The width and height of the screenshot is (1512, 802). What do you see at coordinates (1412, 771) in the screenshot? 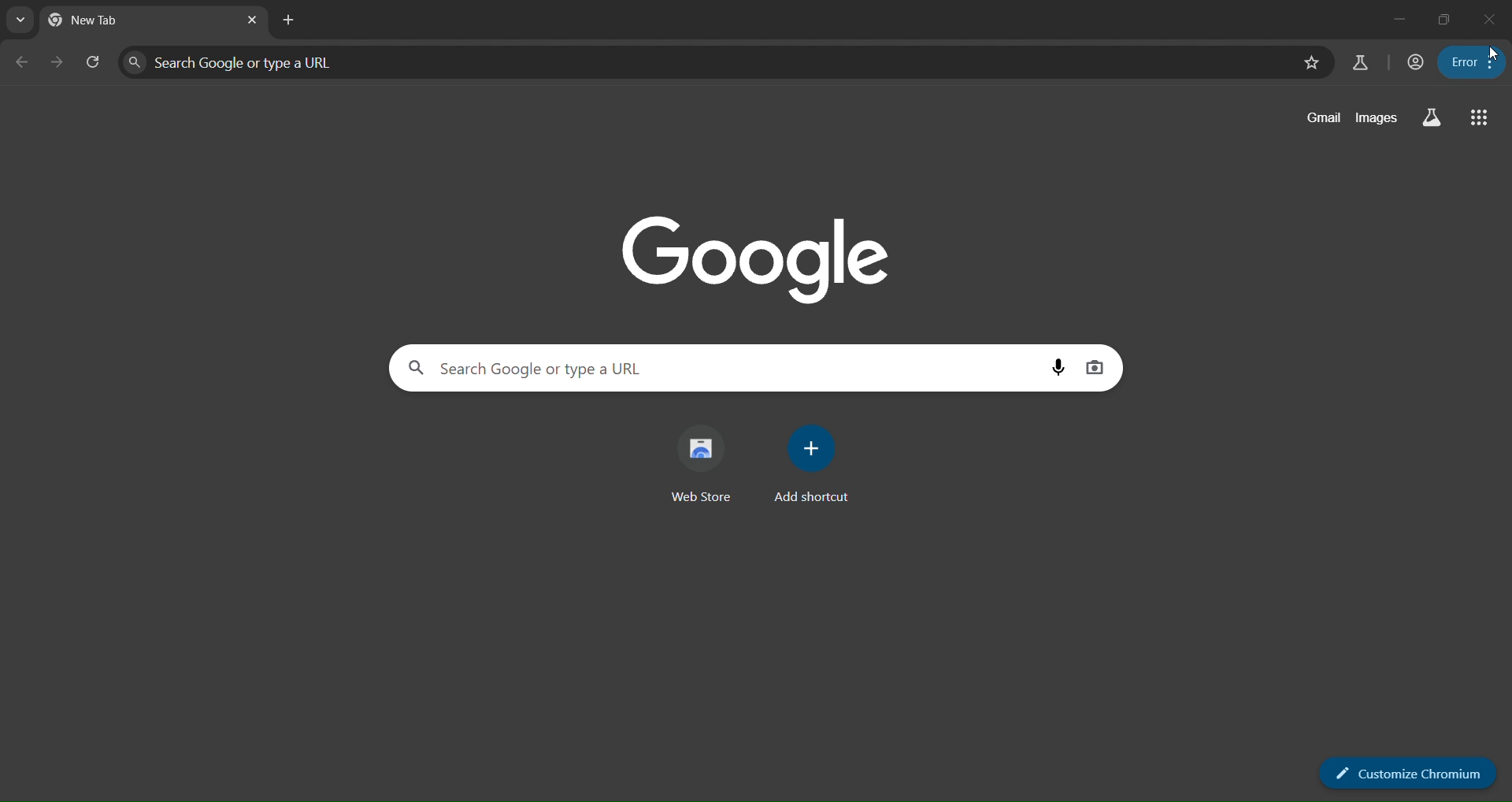
I see `customize chromium` at bounding box center [1412, 771].